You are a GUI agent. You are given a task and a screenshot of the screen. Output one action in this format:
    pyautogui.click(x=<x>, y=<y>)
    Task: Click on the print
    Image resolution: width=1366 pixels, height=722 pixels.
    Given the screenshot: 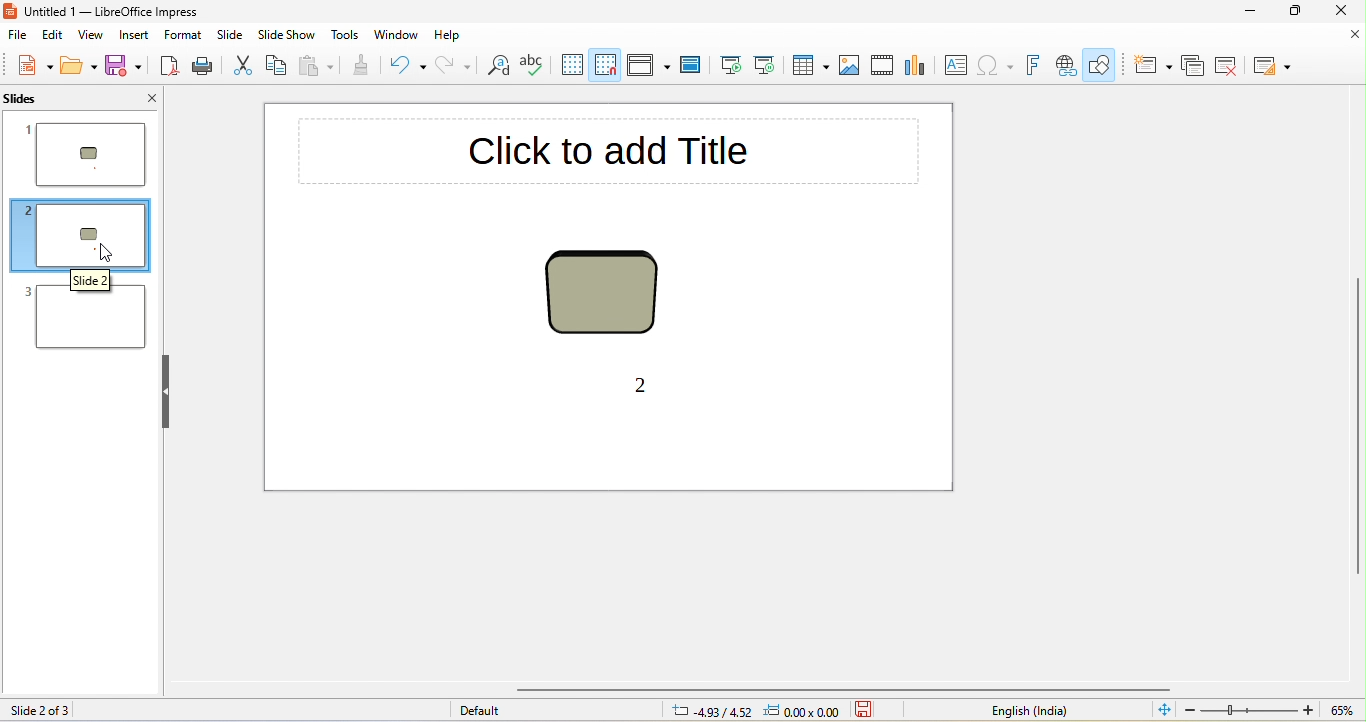 What is the action you would take?
    pyautogui.click(x=205, y=69)
    